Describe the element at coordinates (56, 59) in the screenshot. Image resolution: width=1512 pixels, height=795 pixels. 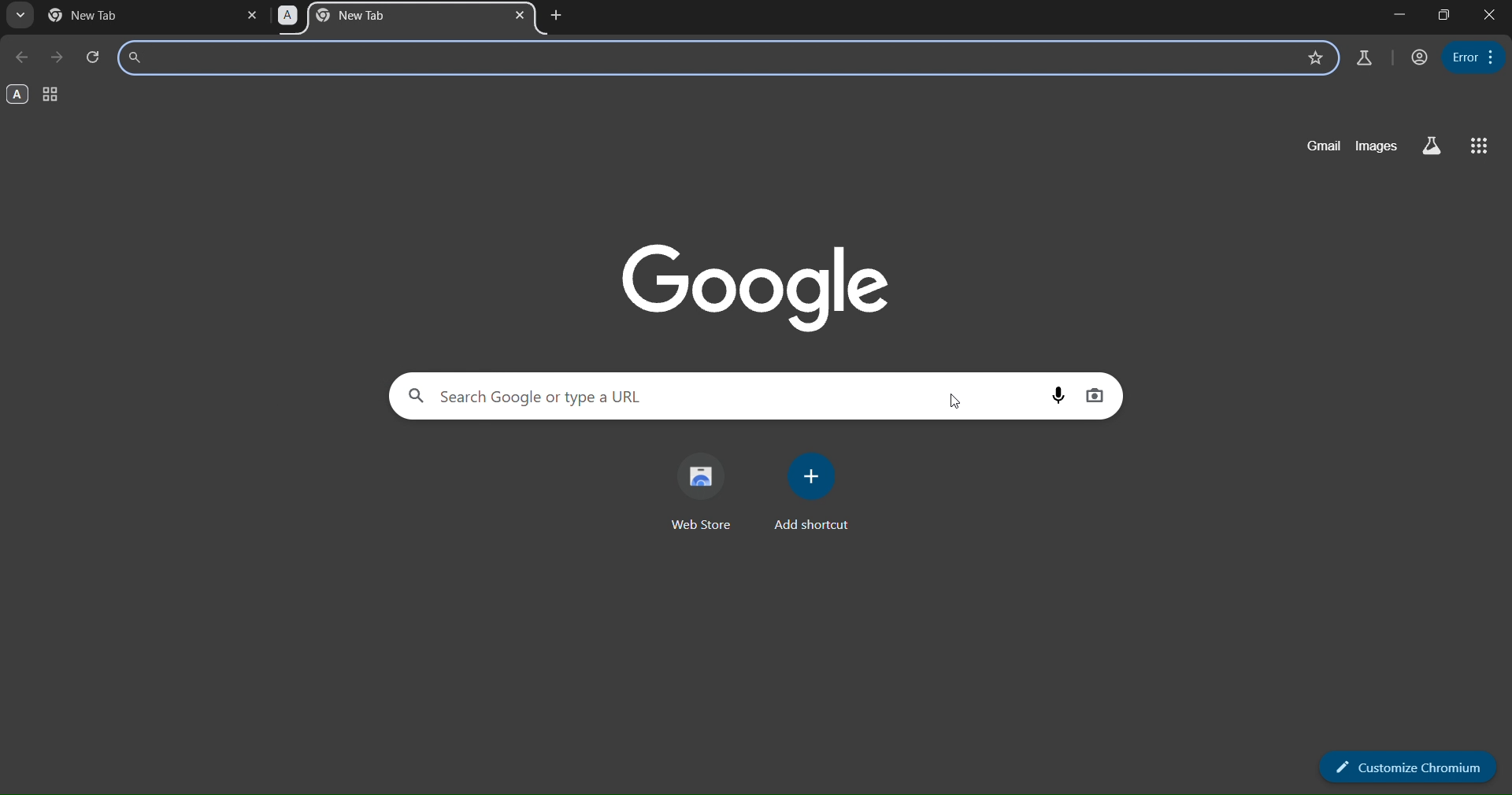
I see `go forward one page` at that location.